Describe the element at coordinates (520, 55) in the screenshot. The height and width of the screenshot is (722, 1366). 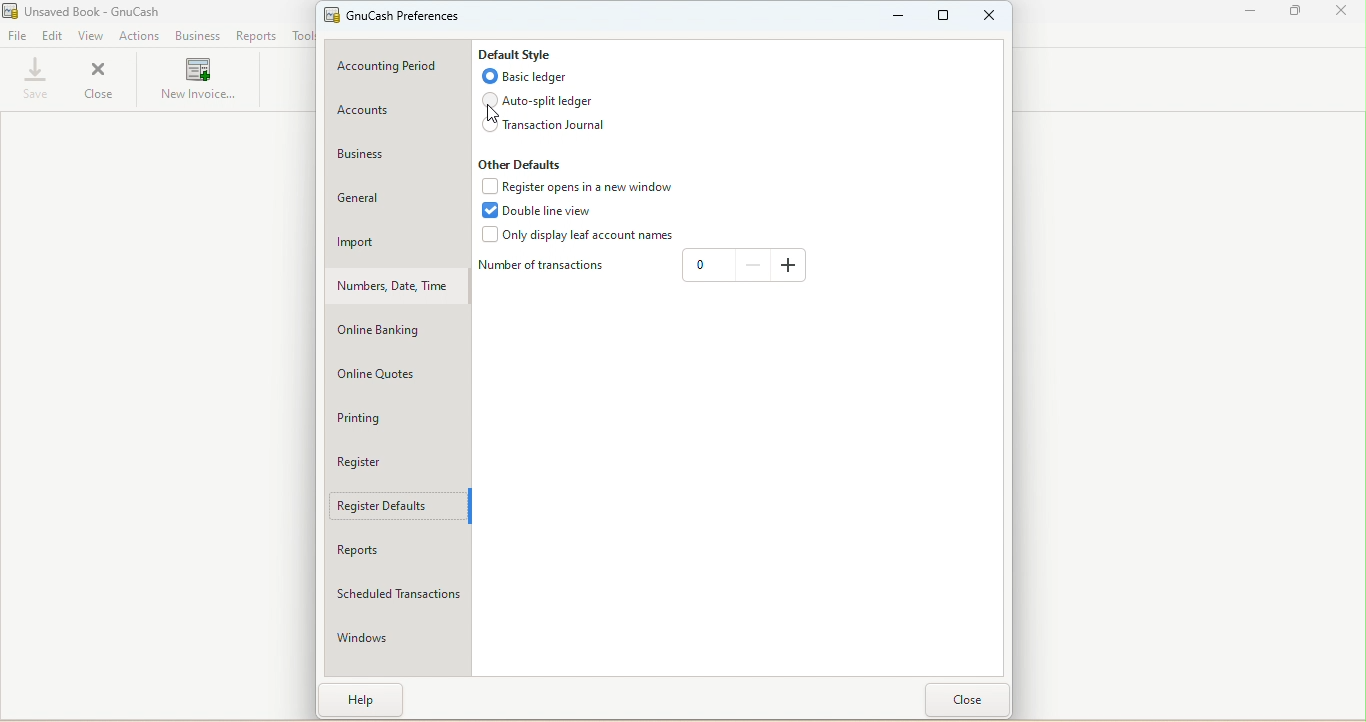
I see `Default style` at that location.